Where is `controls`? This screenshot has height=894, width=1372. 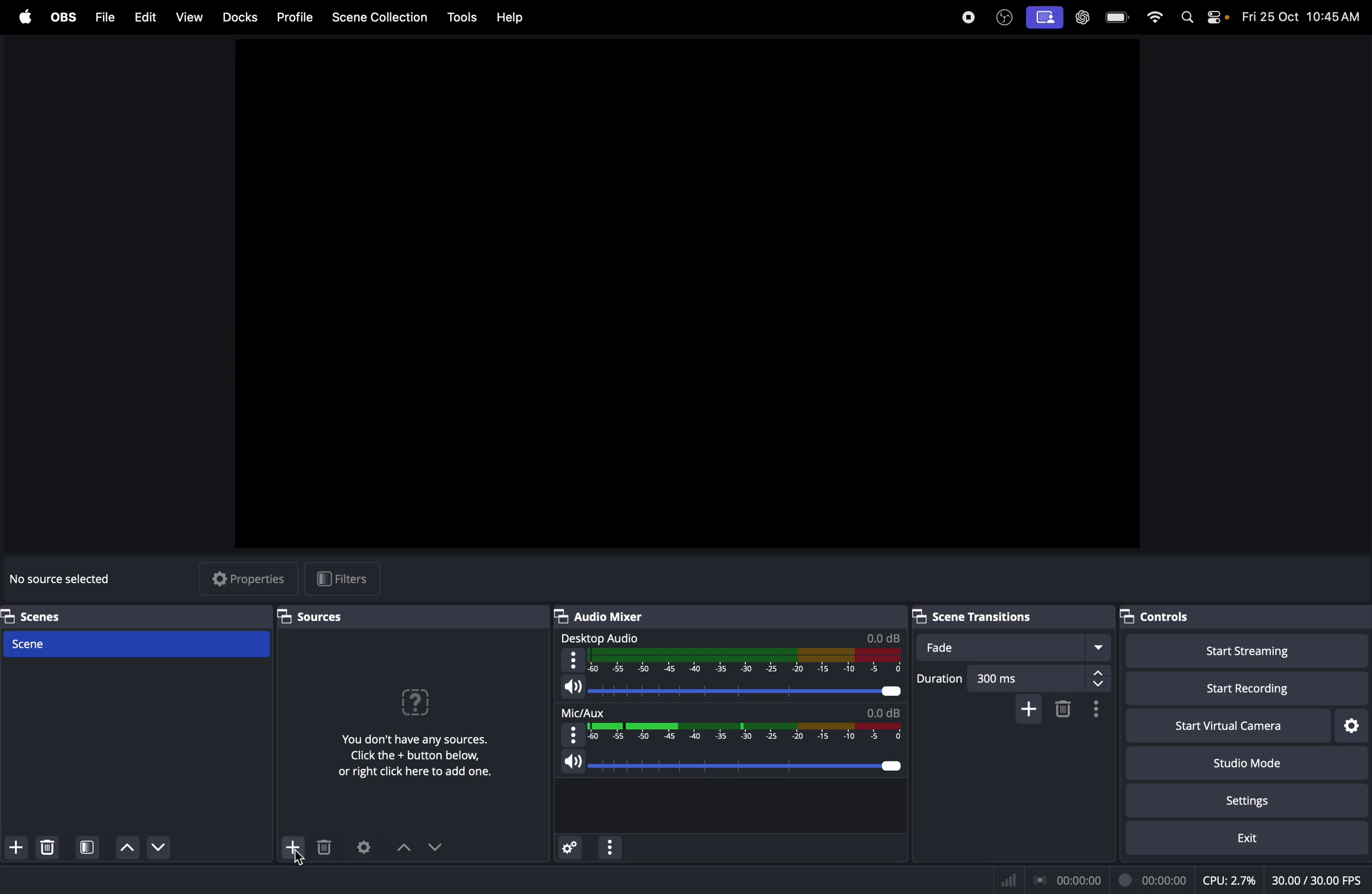 controls is located at coordinates (1155, 617).